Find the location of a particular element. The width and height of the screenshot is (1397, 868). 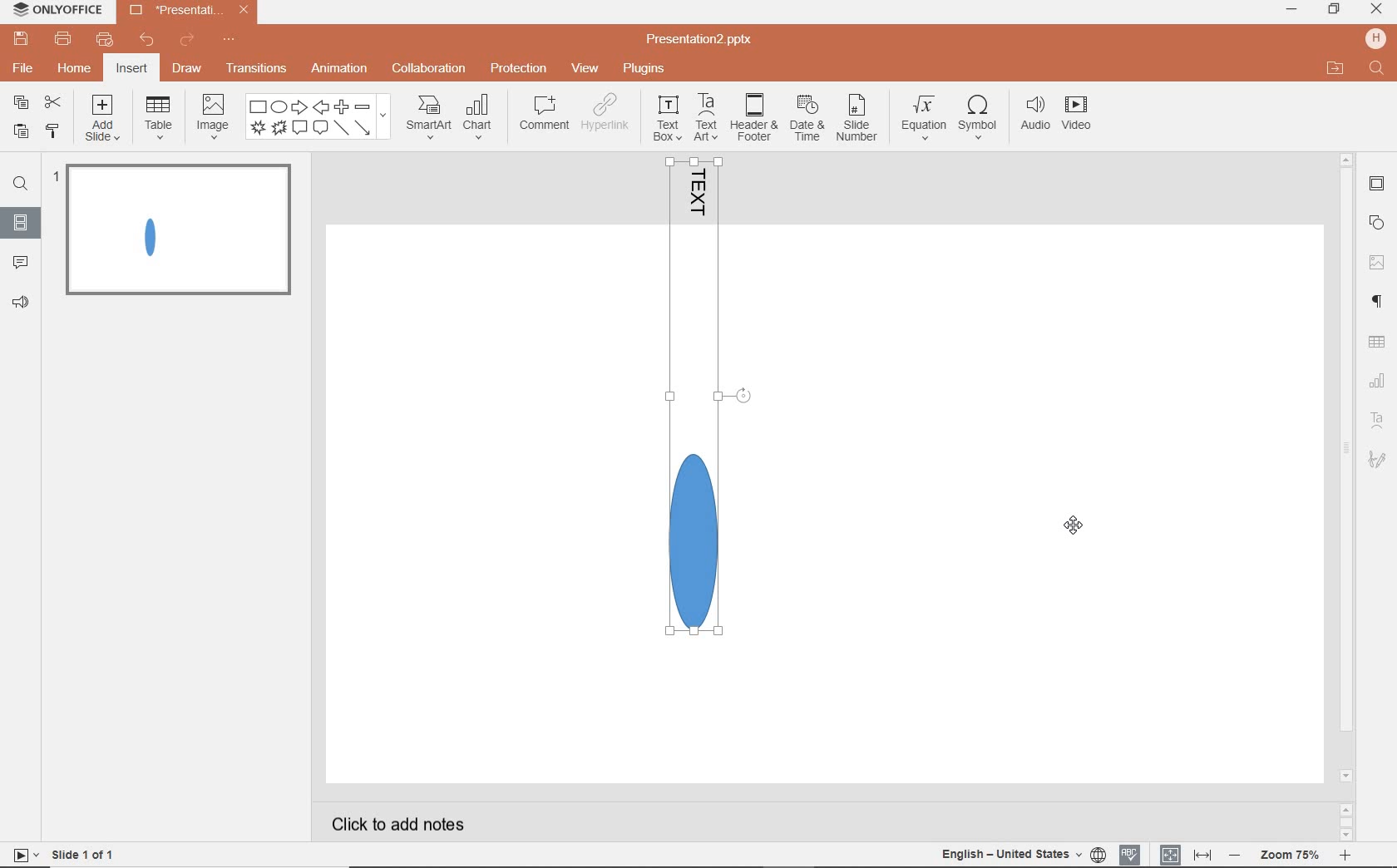

TABLE SETTINGS is located at coordinates (1377, 343).